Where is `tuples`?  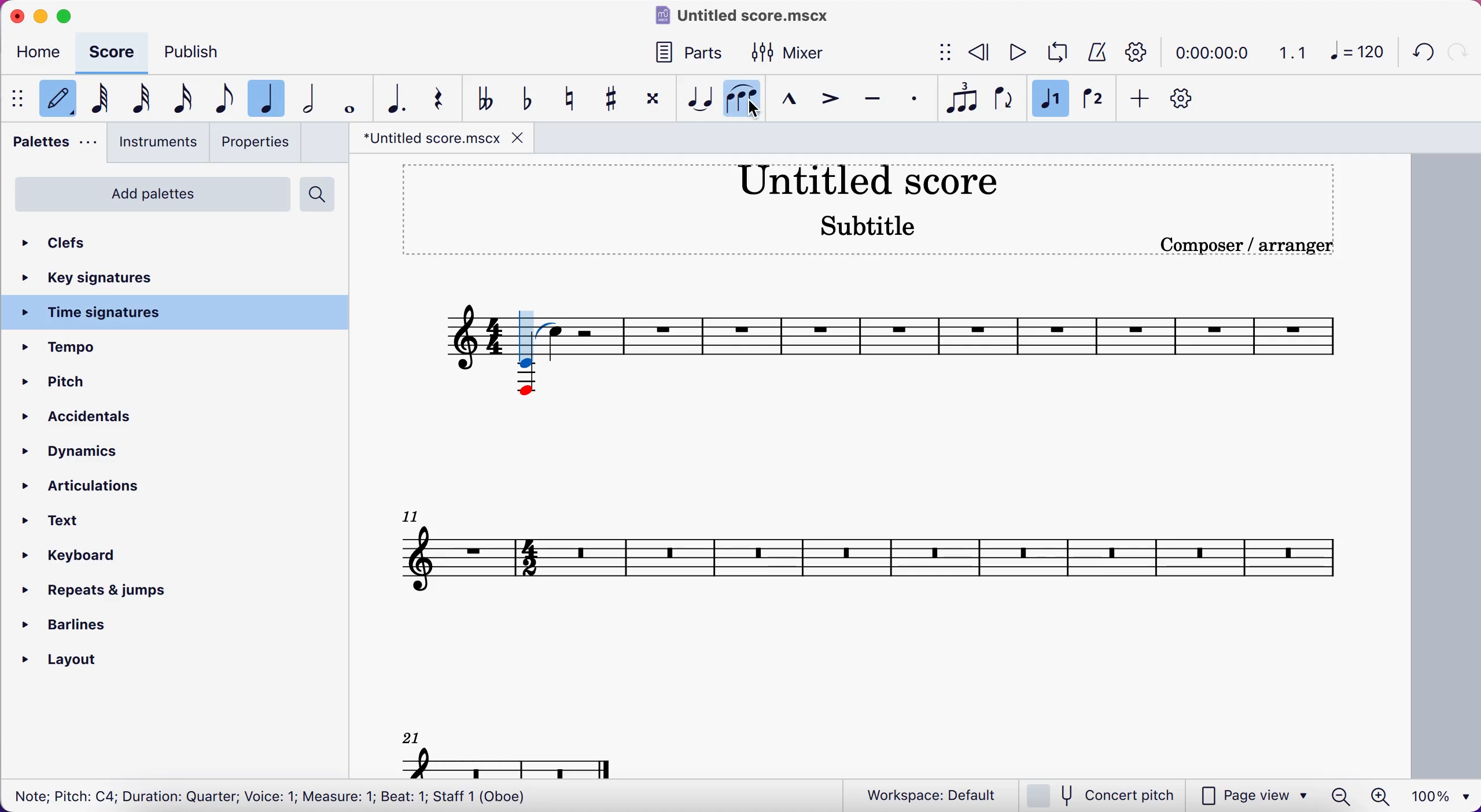
tuples is located at coordinates (959, 97).